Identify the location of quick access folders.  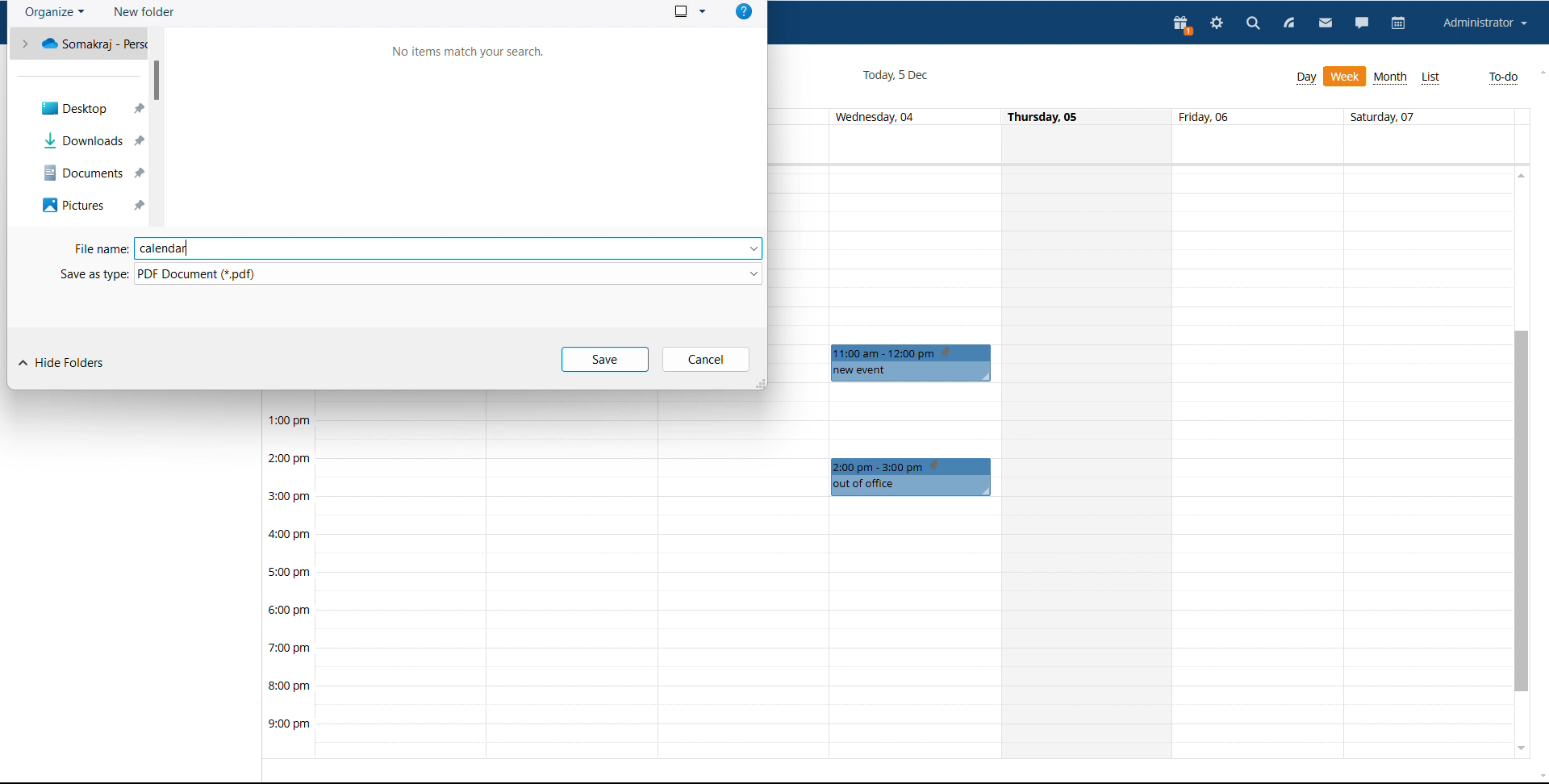
(78, 43).